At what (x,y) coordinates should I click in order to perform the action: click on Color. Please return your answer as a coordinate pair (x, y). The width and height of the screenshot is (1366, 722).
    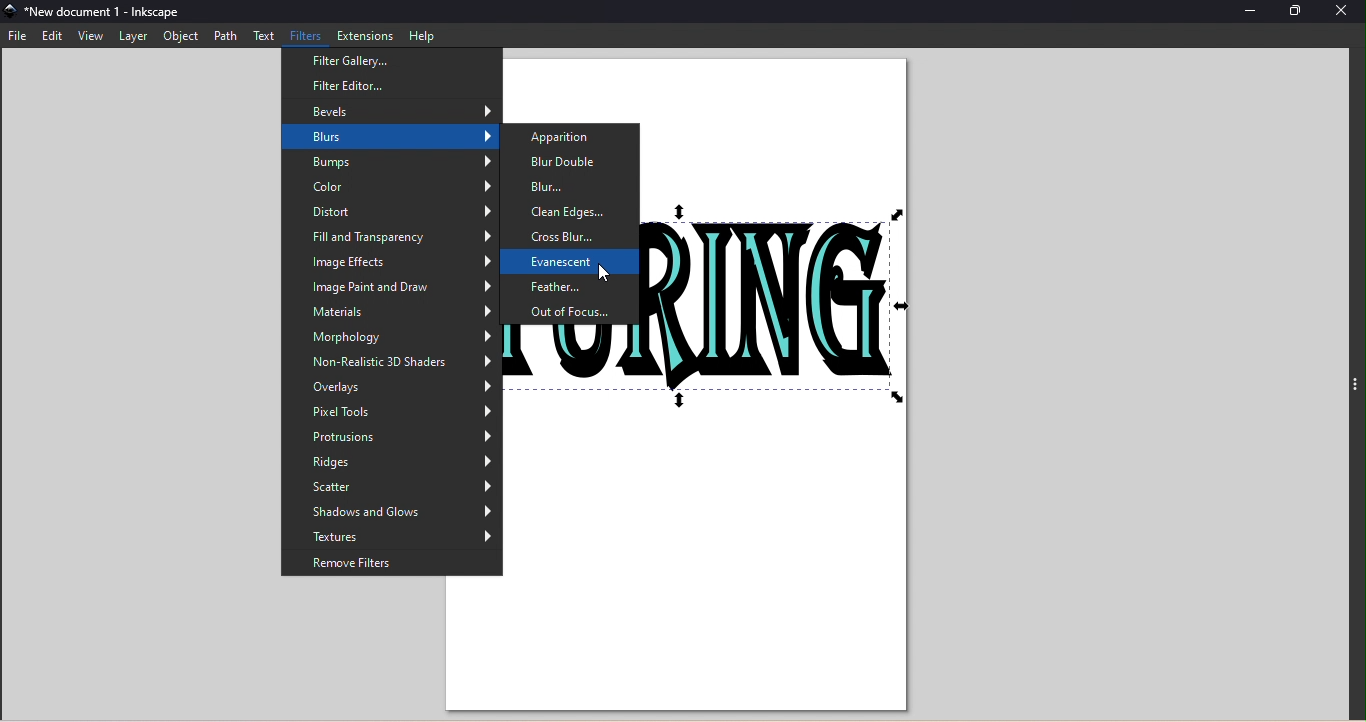
    Looking at the image, I should click on (394, 185).